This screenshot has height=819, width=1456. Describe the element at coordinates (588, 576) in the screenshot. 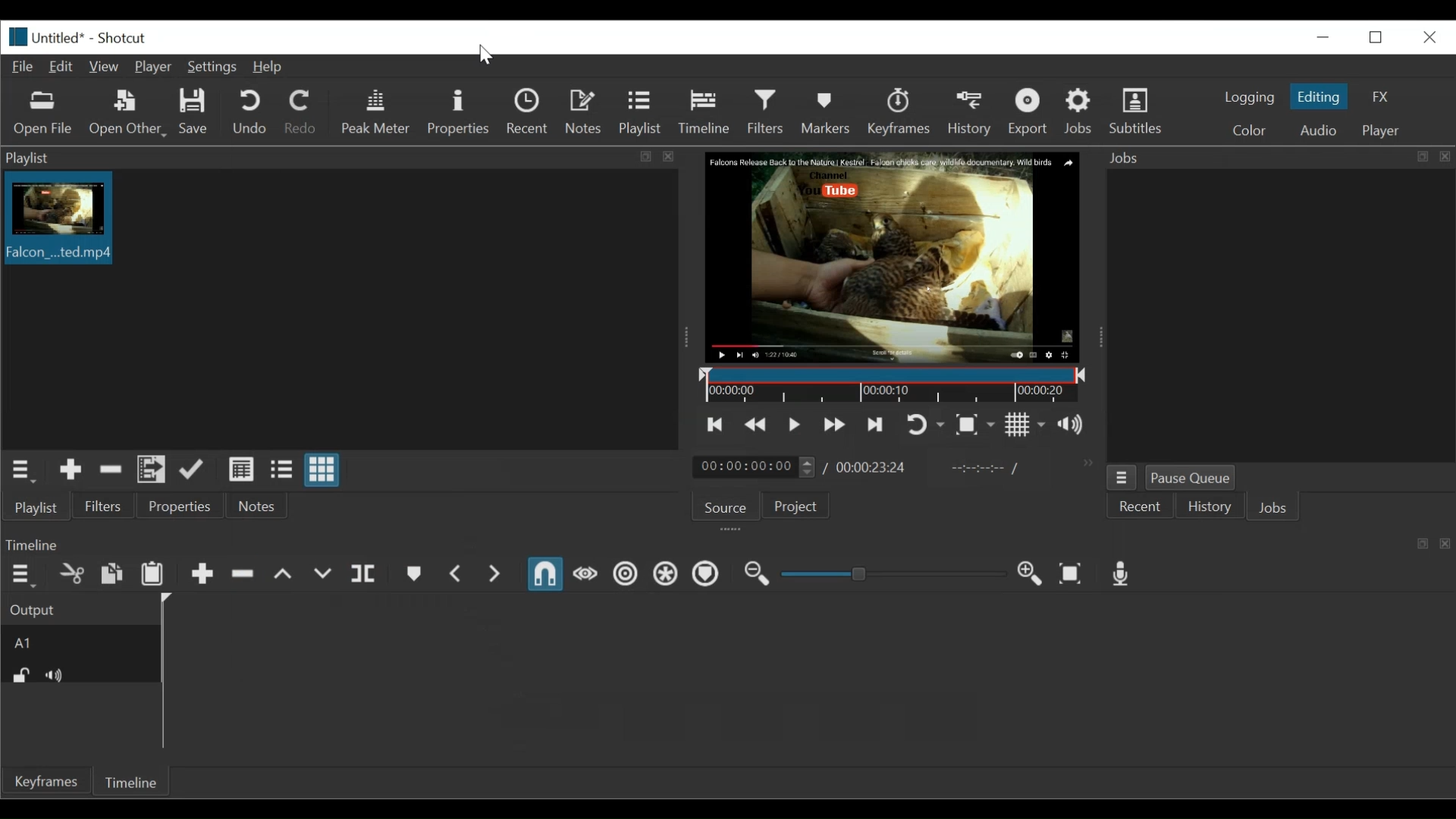

I see `Scrub while dragging` at that location.